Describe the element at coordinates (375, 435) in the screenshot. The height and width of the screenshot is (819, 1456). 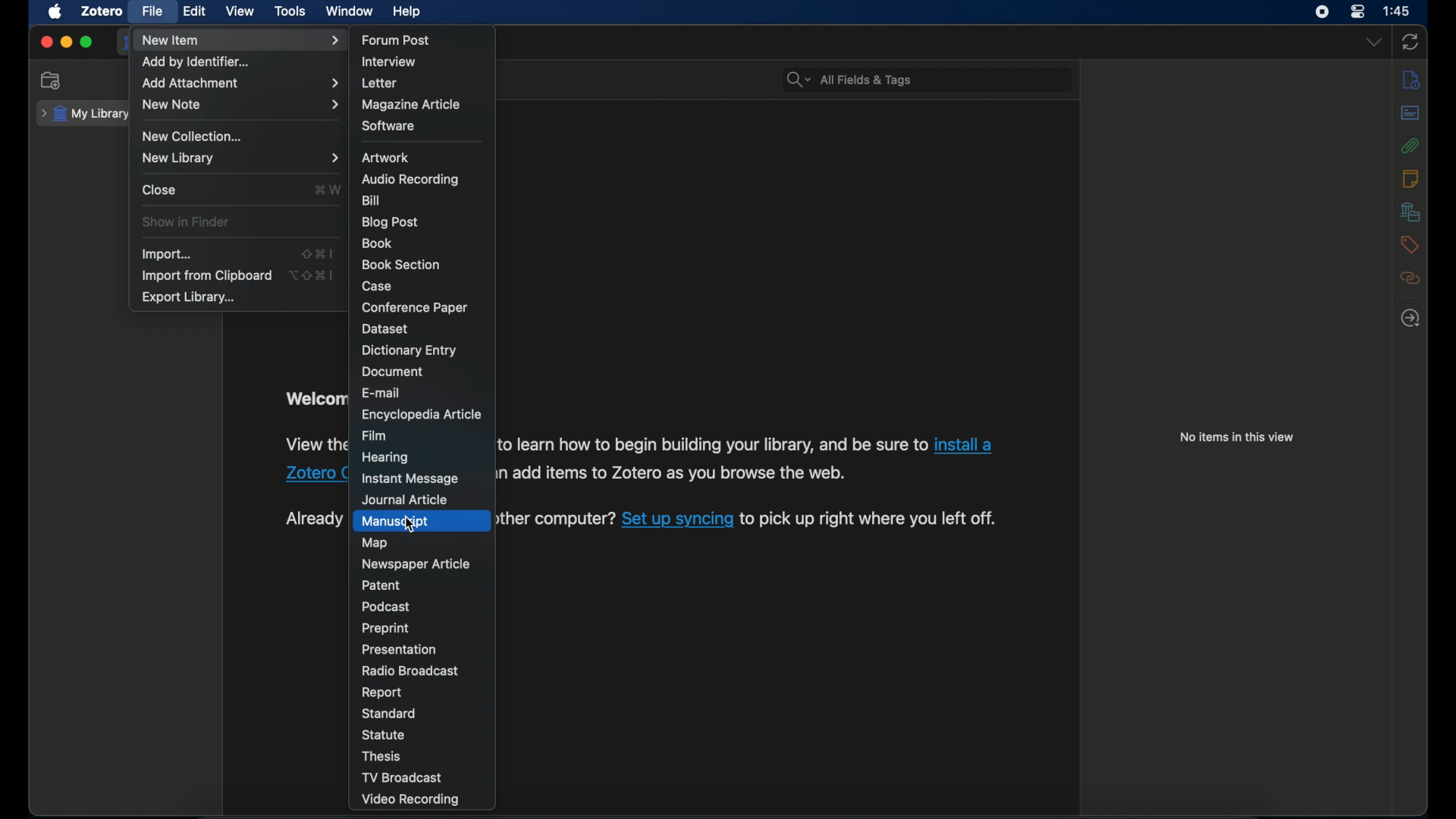
I see `film` at that location.